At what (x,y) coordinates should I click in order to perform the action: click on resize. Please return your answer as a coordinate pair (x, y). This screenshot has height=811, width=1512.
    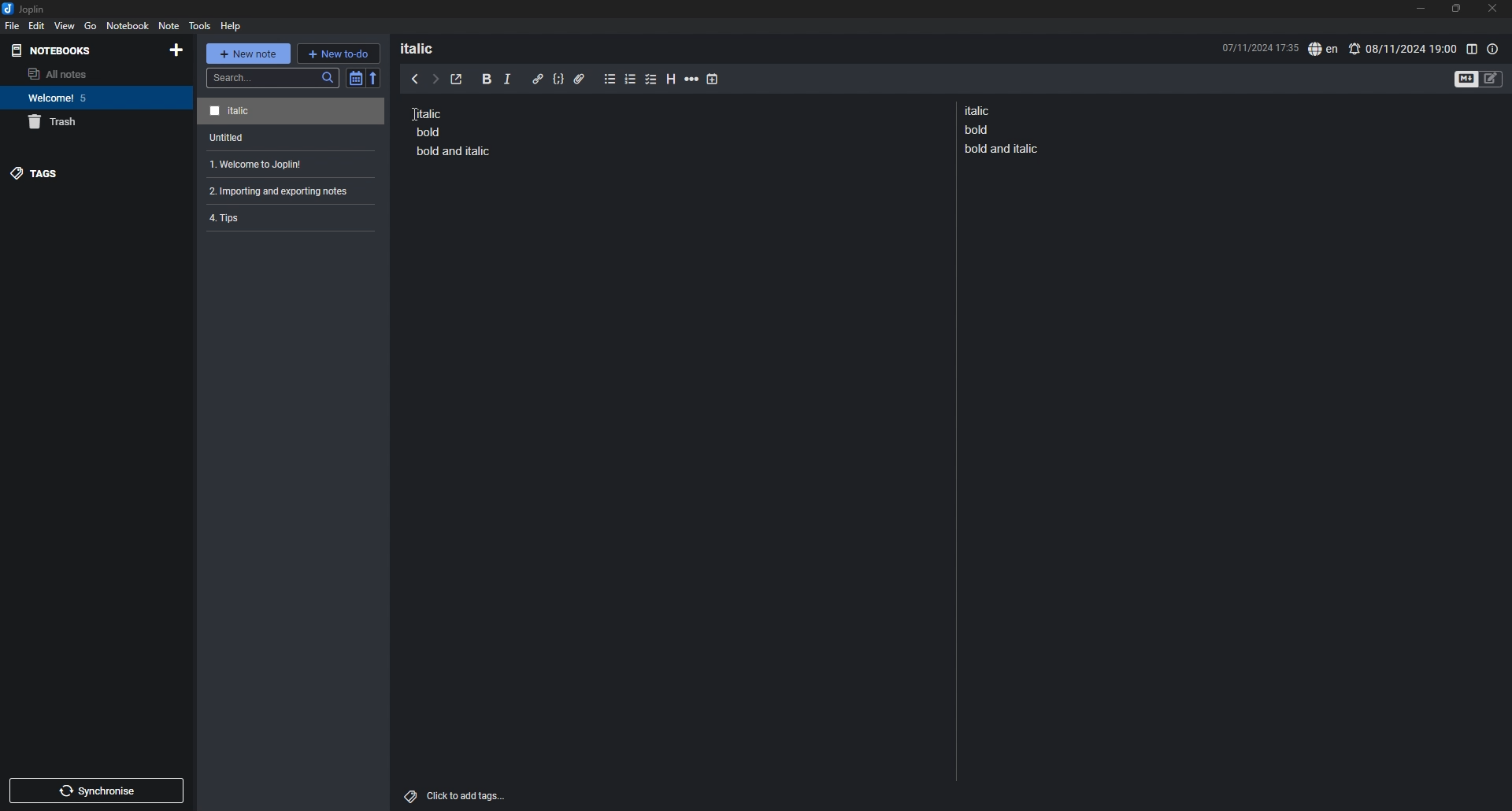
    Looking at the image, I should click on (1455, 9).